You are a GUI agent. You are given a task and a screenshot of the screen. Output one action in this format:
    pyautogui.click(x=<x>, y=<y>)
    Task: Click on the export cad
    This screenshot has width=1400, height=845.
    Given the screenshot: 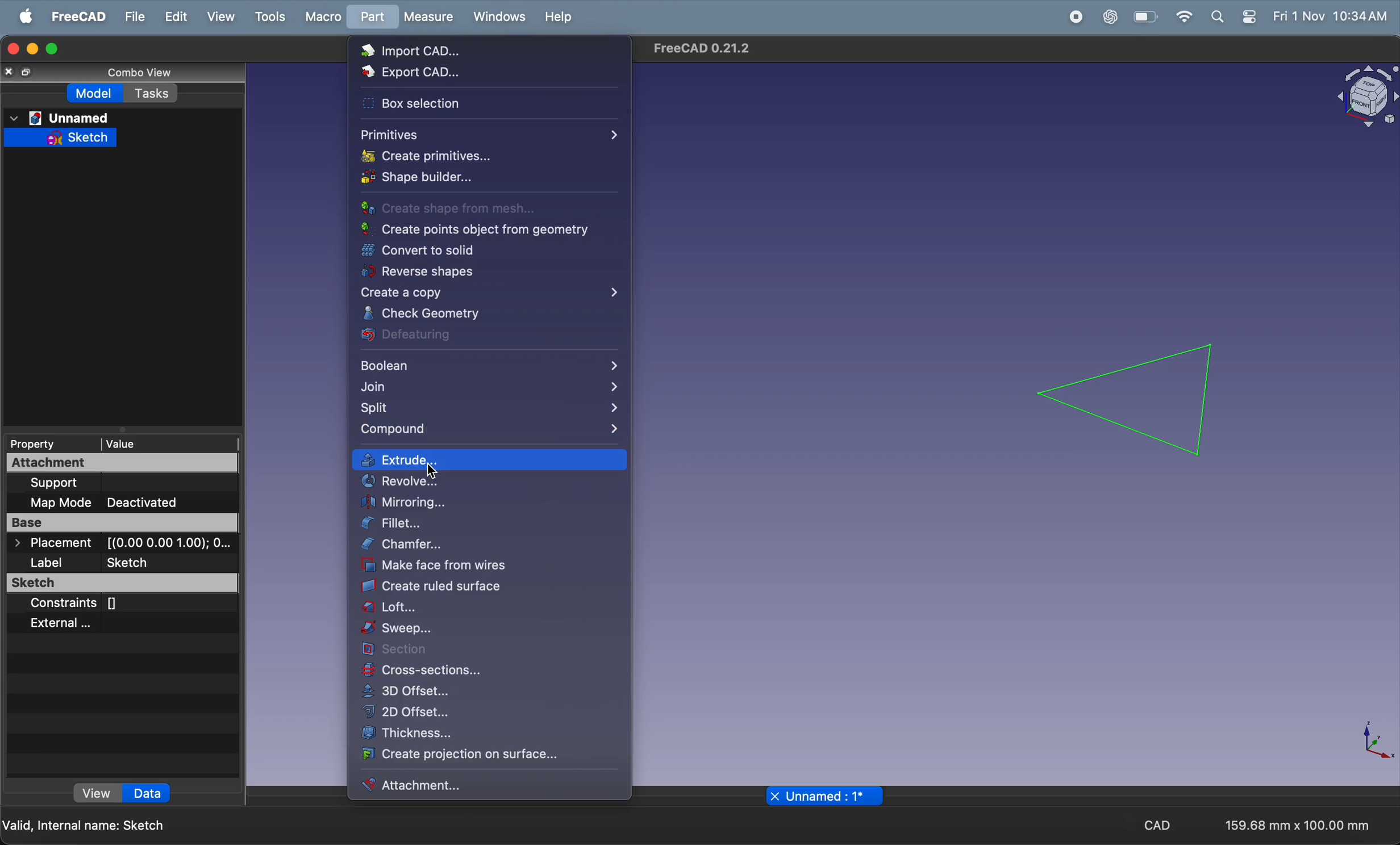 What is the action you would take?
    pyautogui.click(x=439, y=74)
    